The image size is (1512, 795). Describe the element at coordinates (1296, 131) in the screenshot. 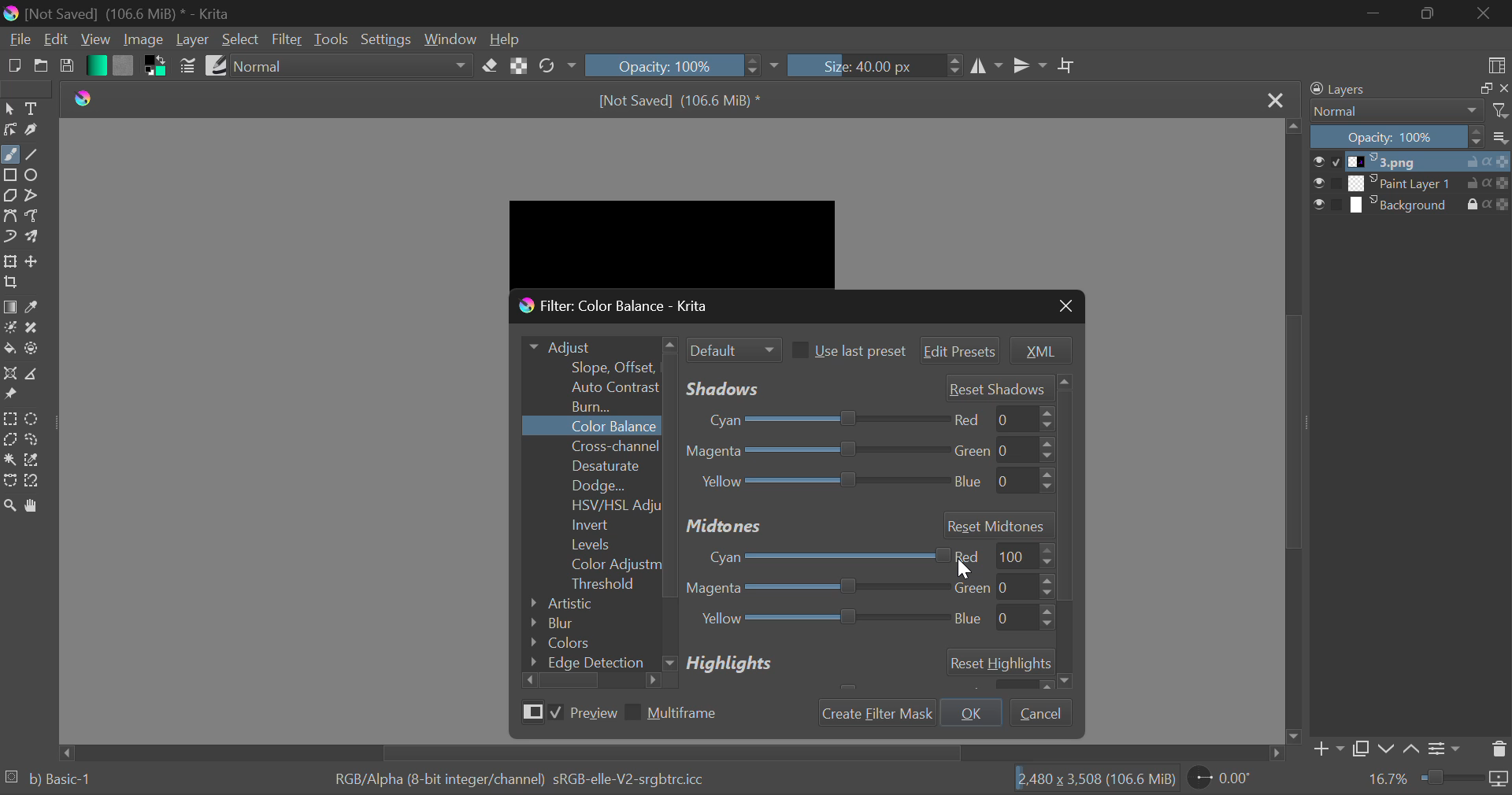

I see `move up` at that location.